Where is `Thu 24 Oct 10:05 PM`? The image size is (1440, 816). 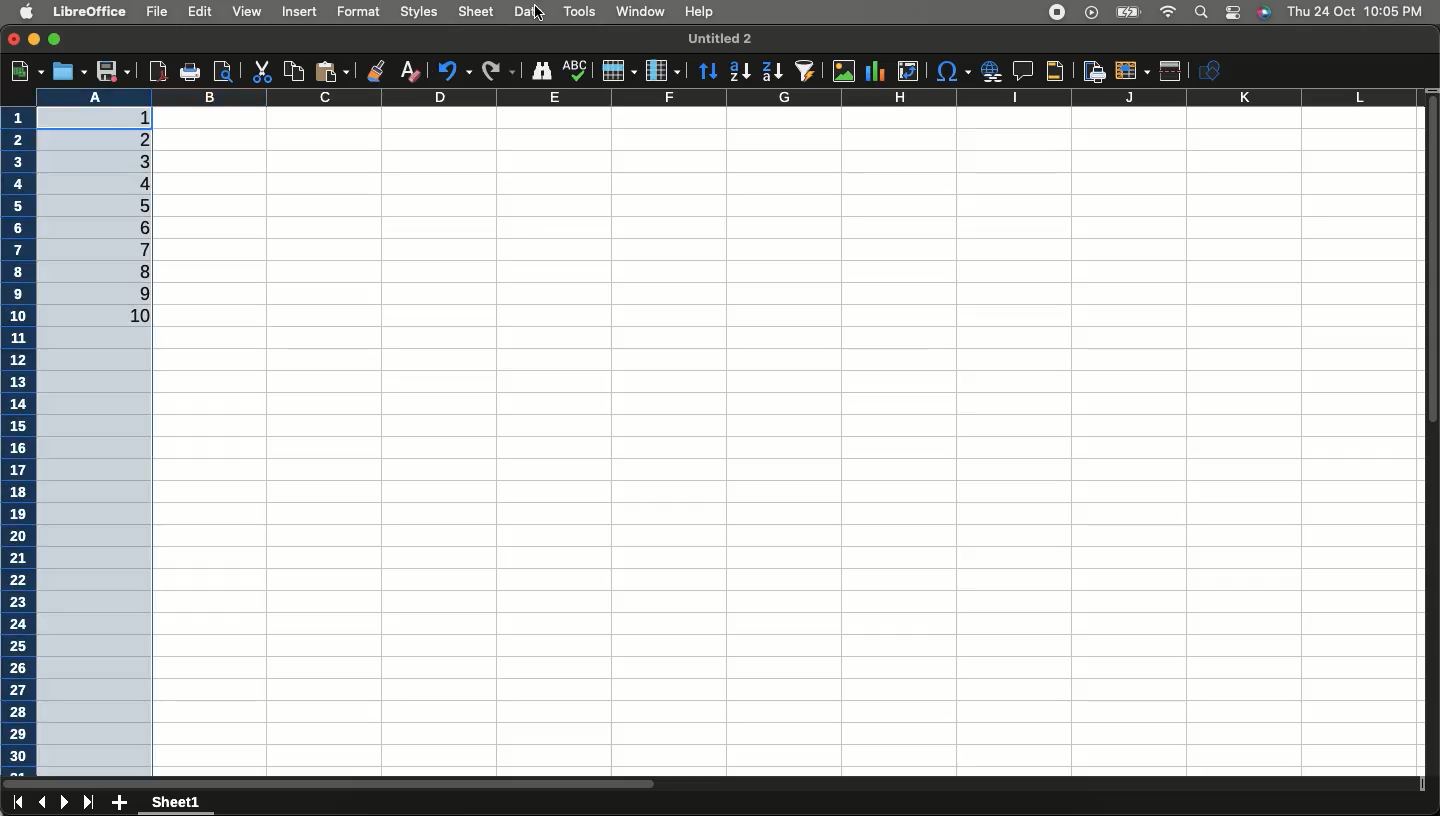
Thu 24 Oct 10:05 PM is located at coordinates (1357, 11).